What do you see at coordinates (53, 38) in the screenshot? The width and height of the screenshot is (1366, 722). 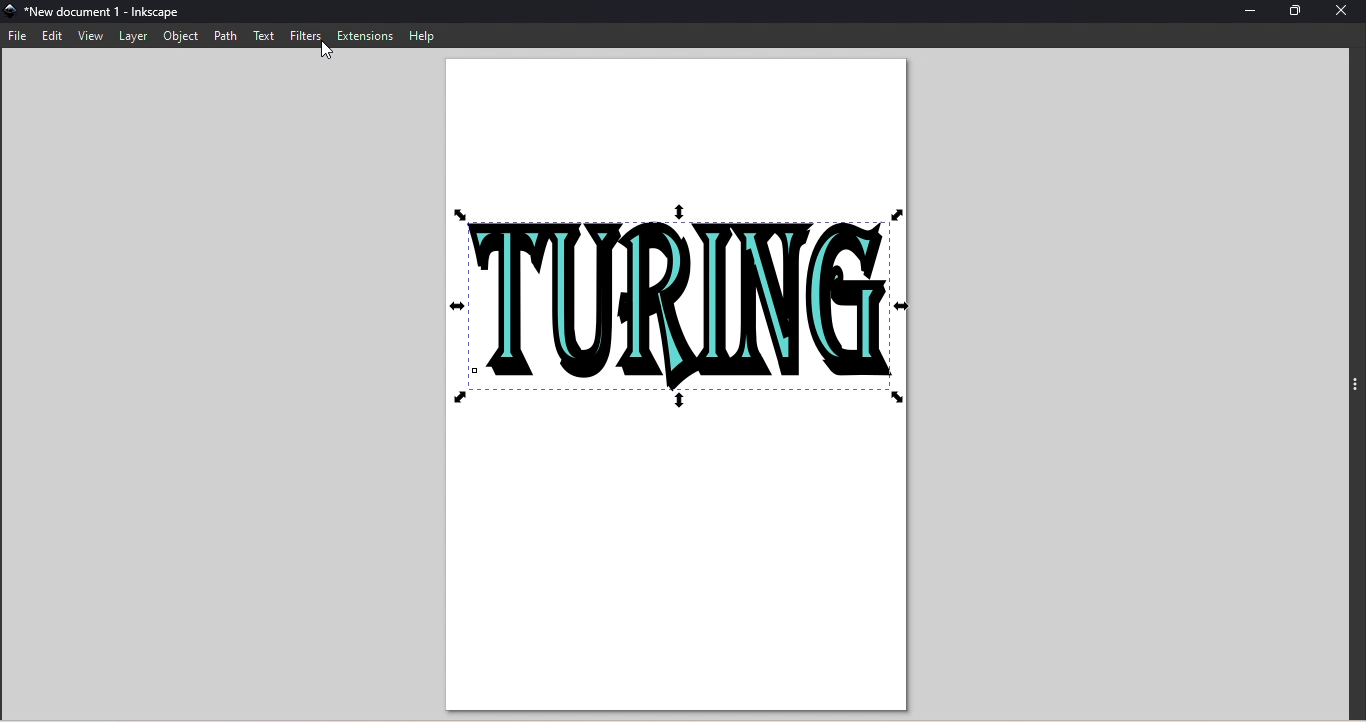 I see `Edit` at bounding box center [53, 38].